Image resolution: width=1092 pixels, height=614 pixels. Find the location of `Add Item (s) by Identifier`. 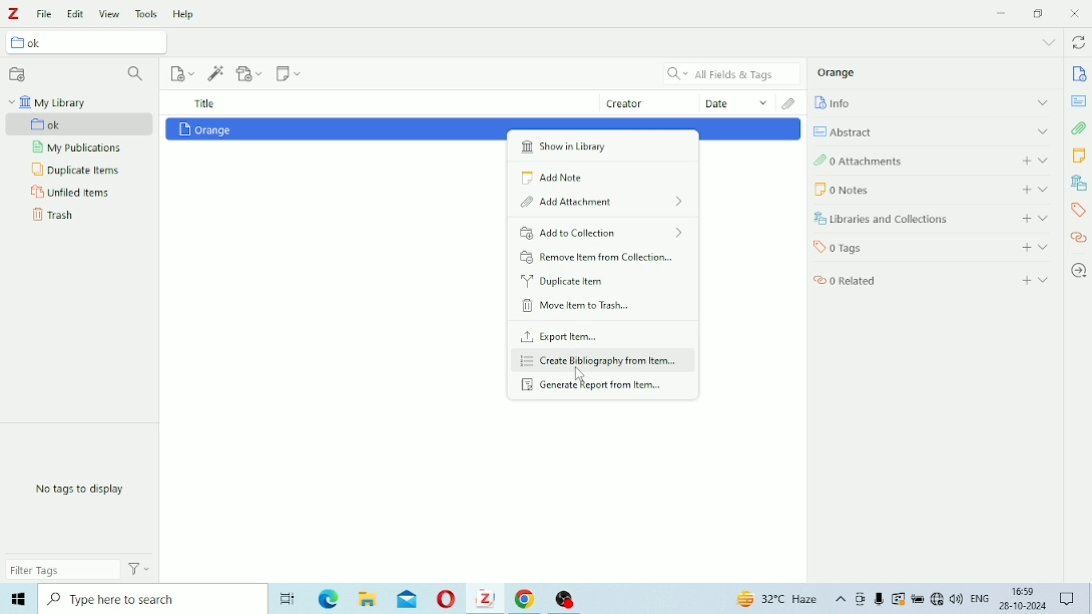

Add Item (s) by Identifier is located at coordinates (217, 73).